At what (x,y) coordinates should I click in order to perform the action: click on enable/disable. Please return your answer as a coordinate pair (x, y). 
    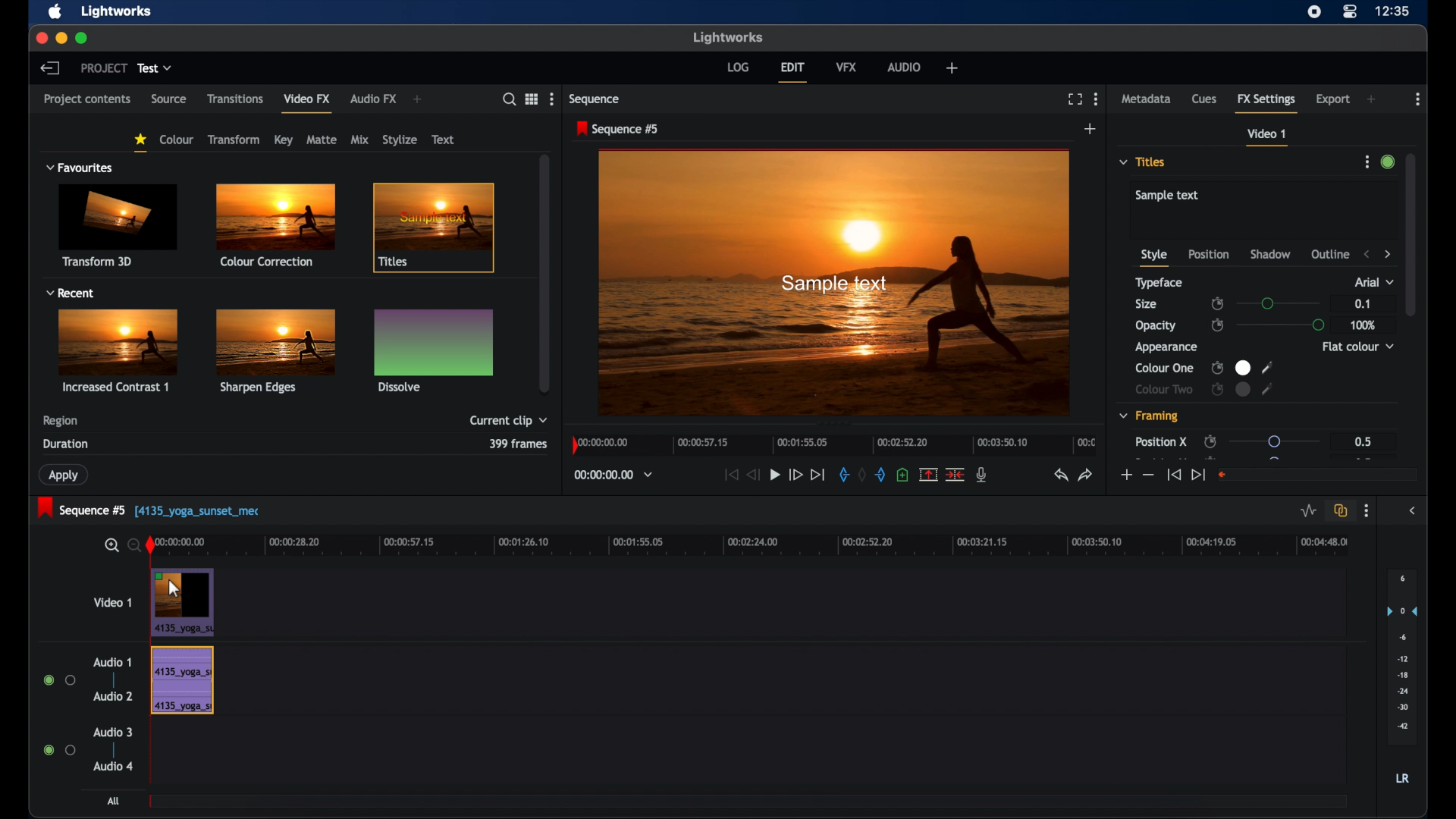
    Looking at the image, I should click on (1216, 326).